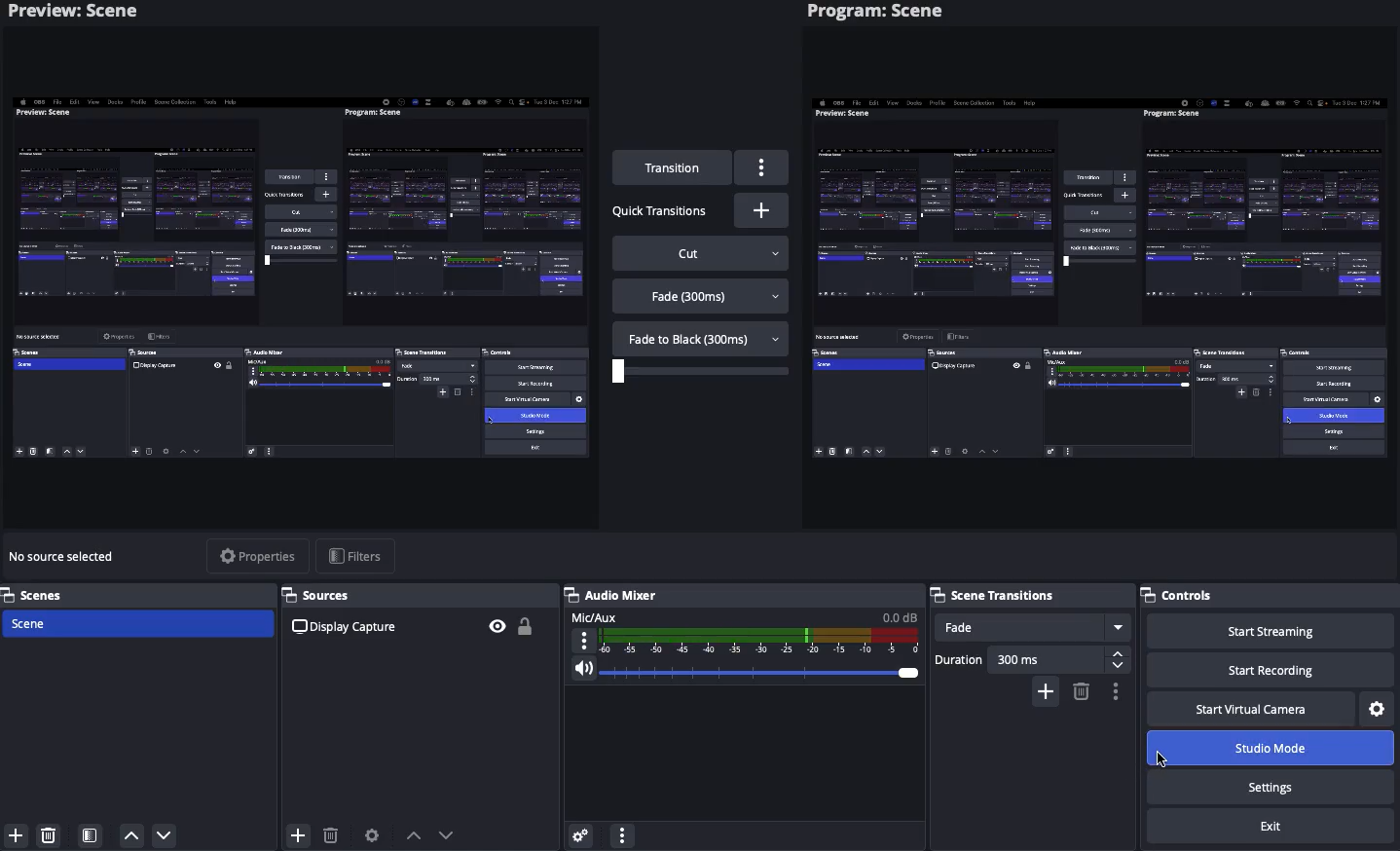 This screenshot has height=851, width=1400. What do you see at coordinates (660, 212) in the screenshot?
I see `Quick transitions` at bounding box center [660, 212].